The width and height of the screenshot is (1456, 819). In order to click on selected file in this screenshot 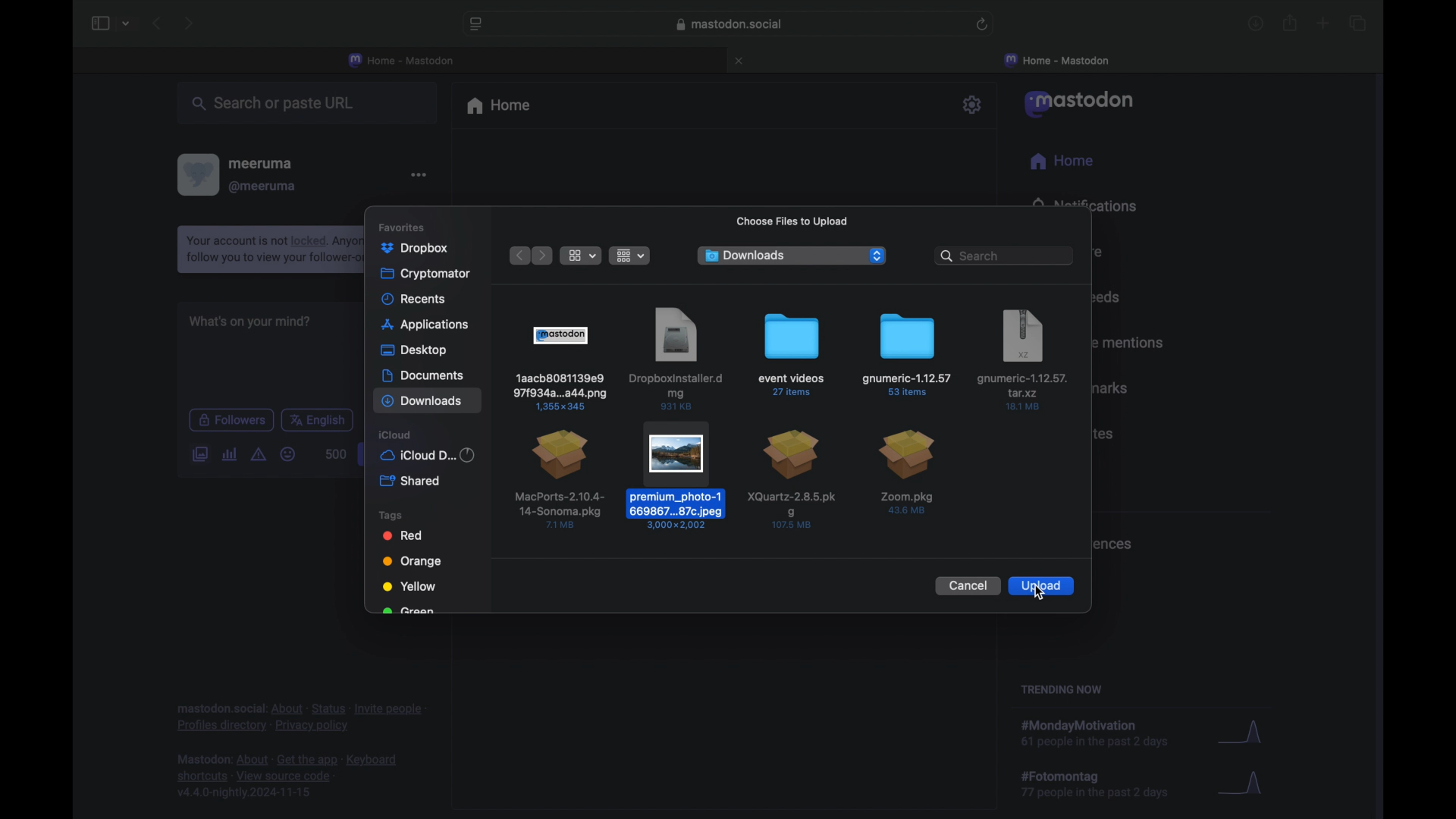, I will do `click(678, 474)`.